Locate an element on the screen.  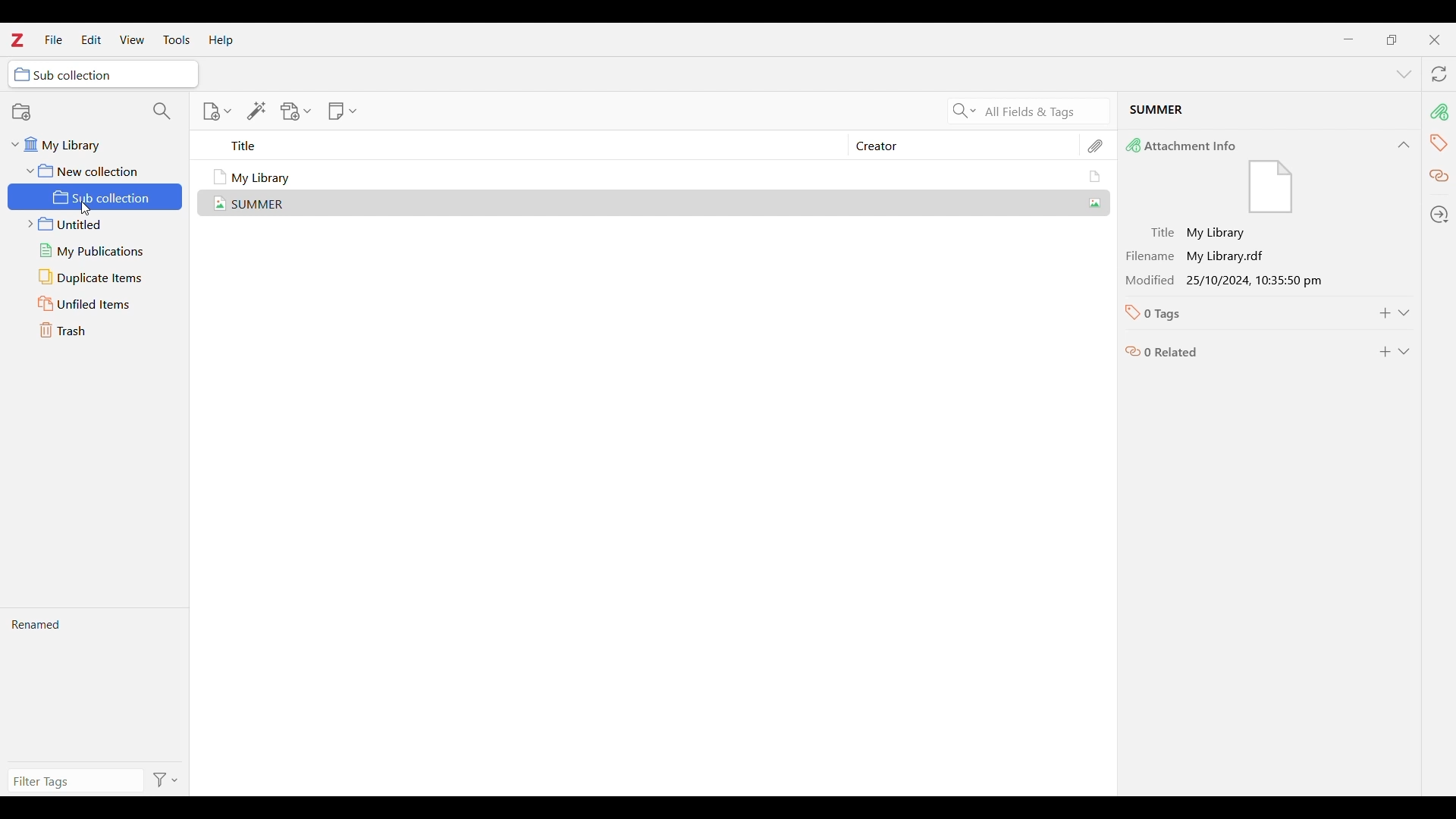
Search criteria  is located at coordinates (964, 111).